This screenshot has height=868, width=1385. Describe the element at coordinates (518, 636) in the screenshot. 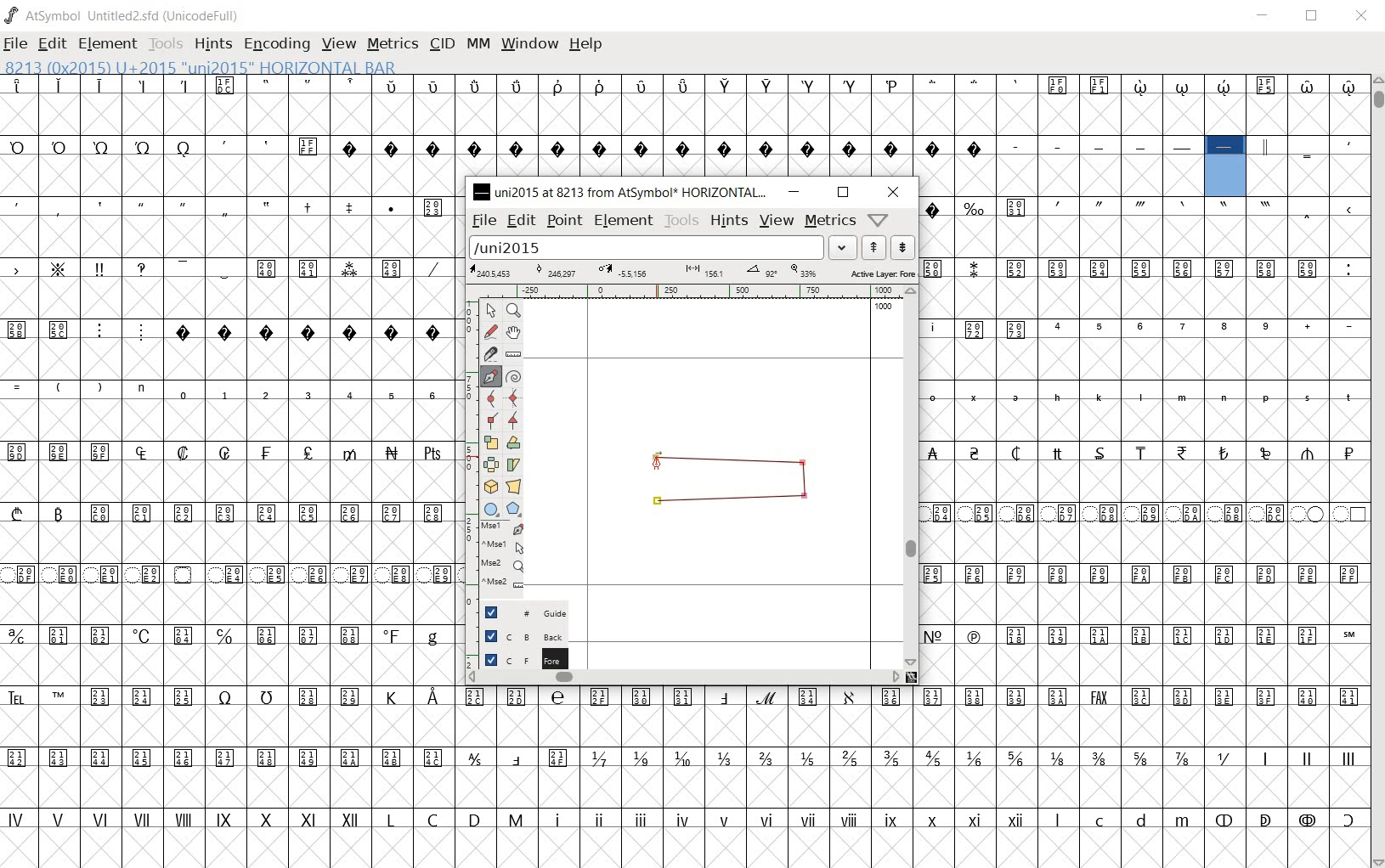

I see `Background` at that location.